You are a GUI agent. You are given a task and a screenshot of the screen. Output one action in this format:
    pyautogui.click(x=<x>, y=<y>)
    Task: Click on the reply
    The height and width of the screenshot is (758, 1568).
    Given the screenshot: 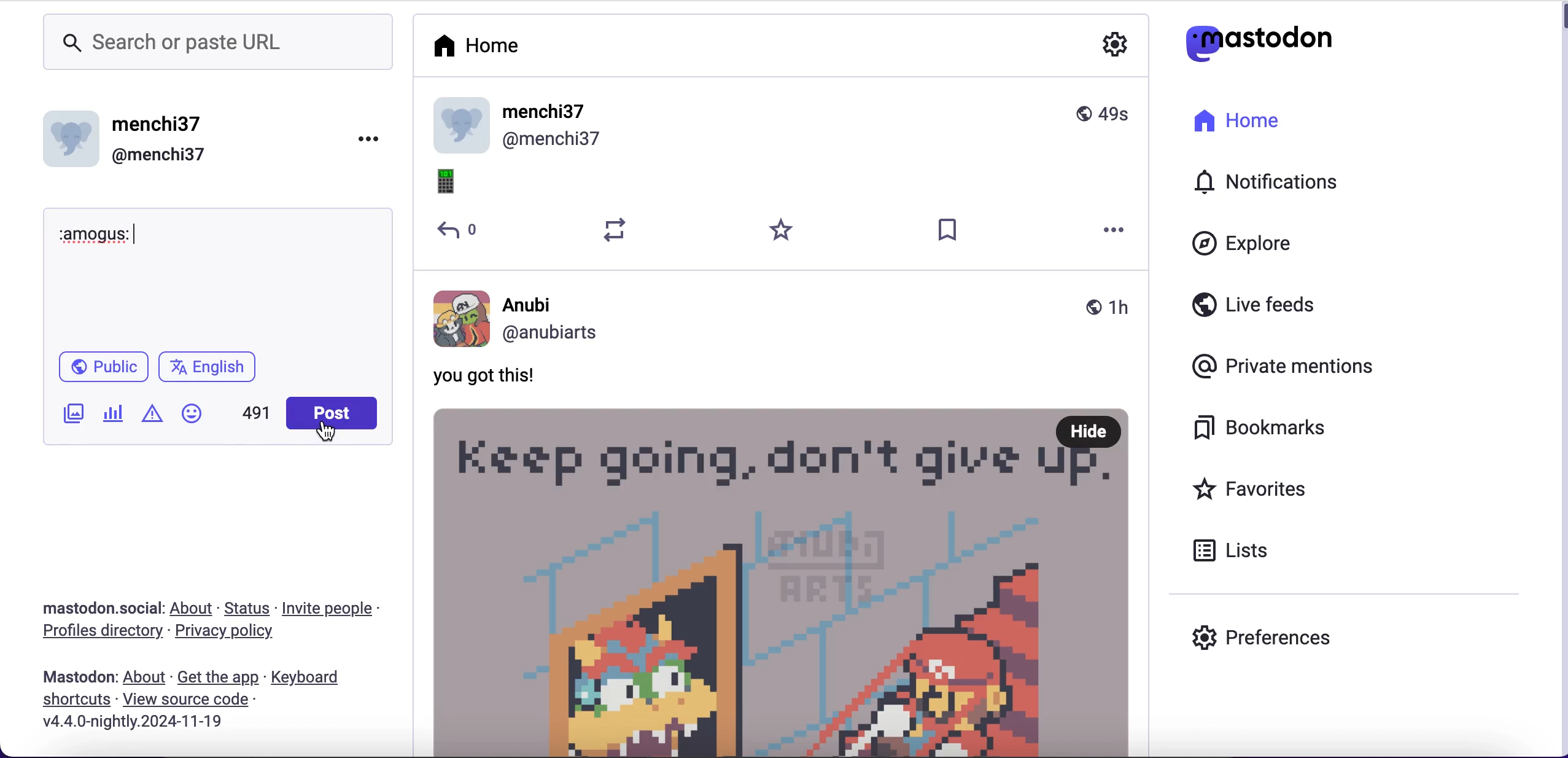 What is the action you would take?
    pyautogui.click(x=460, y=231)
    